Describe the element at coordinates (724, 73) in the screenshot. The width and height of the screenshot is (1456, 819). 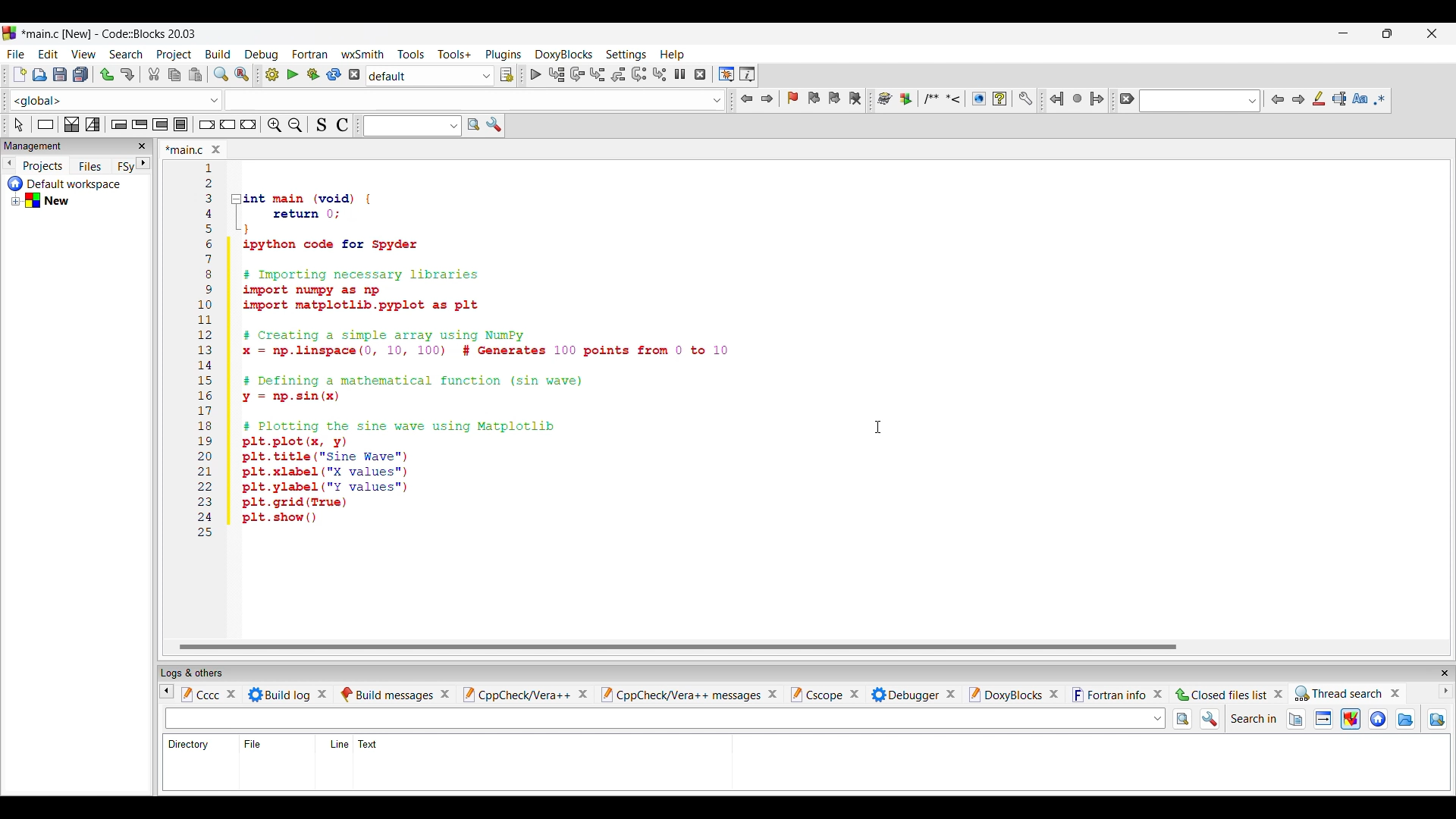
I see `Debugging windows` at that location.